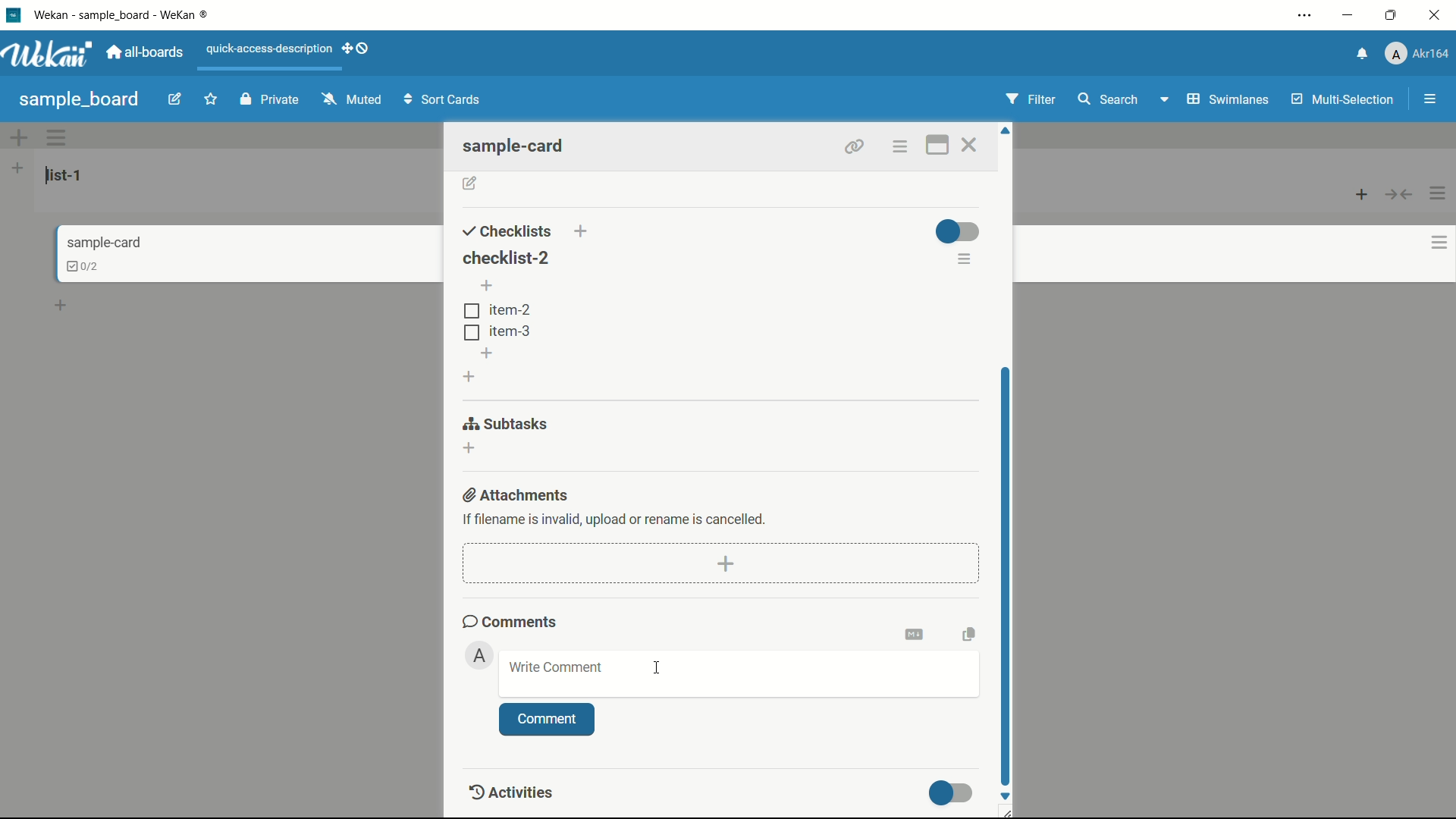 The height and width of the screenshot is (819, 1456). What do you see at coordinates (507, 423) in the screenshot?
I see `subtasks` at bounding box center [507, 423].